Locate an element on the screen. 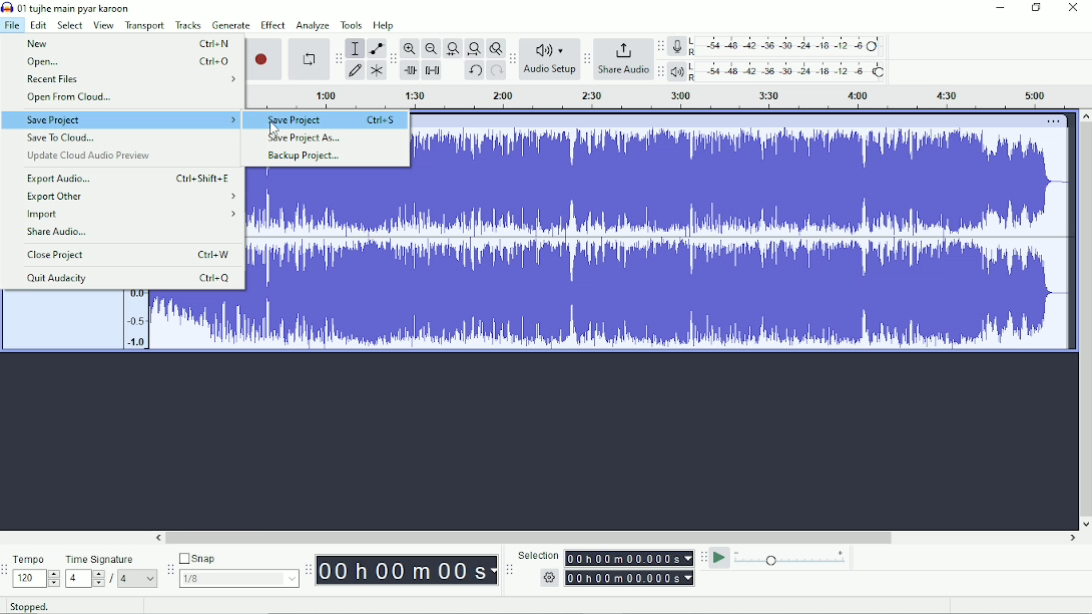 The image size is (1092, 614). Silence audio selection is located at coordinates (433, 70).